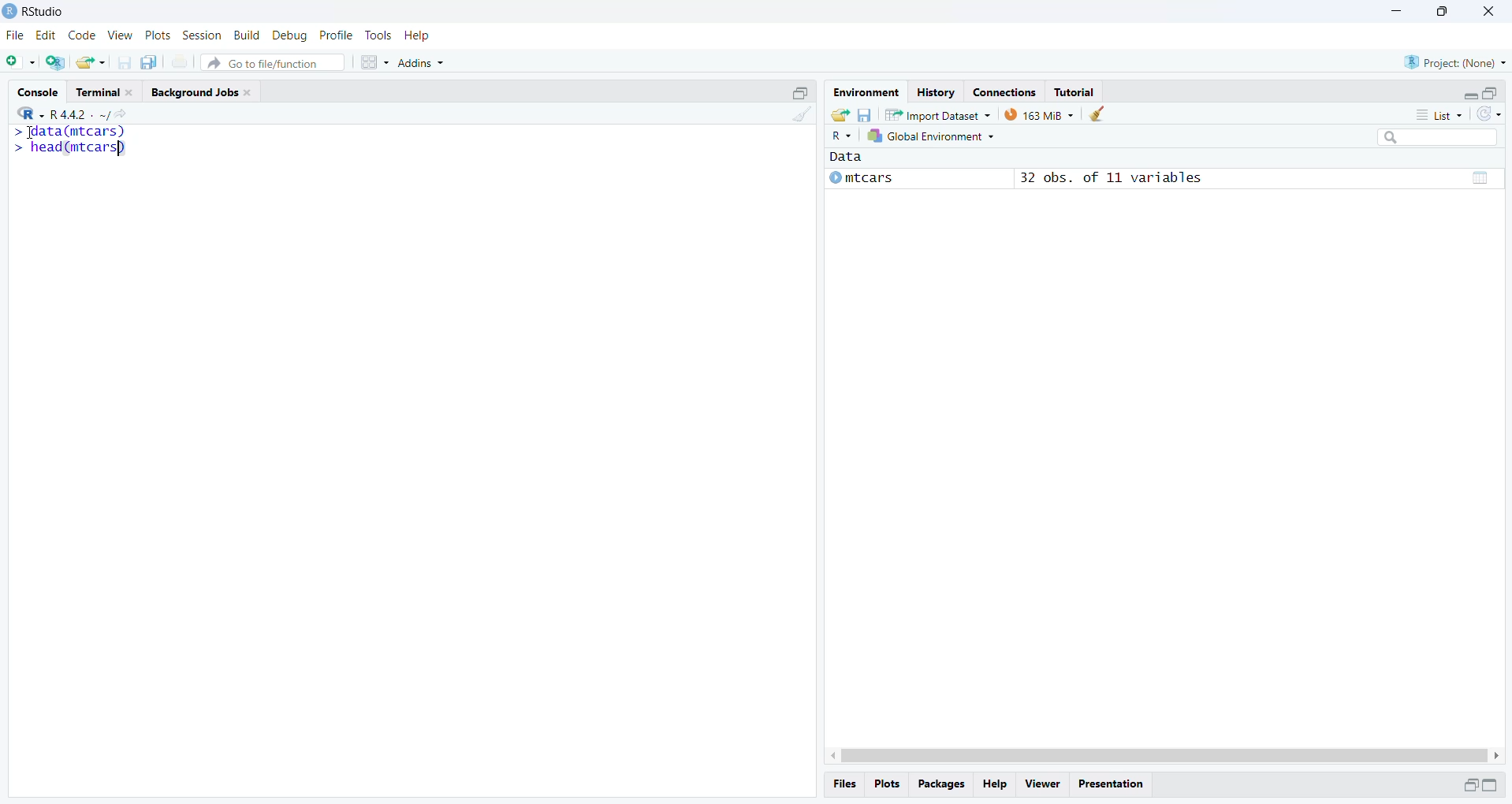 The width and height of the screenshot is (1512, 804). What do you see at coordinates (1039, 115) in the screenshot?
I see `163 MiB` at bounding box center [1039, 115].